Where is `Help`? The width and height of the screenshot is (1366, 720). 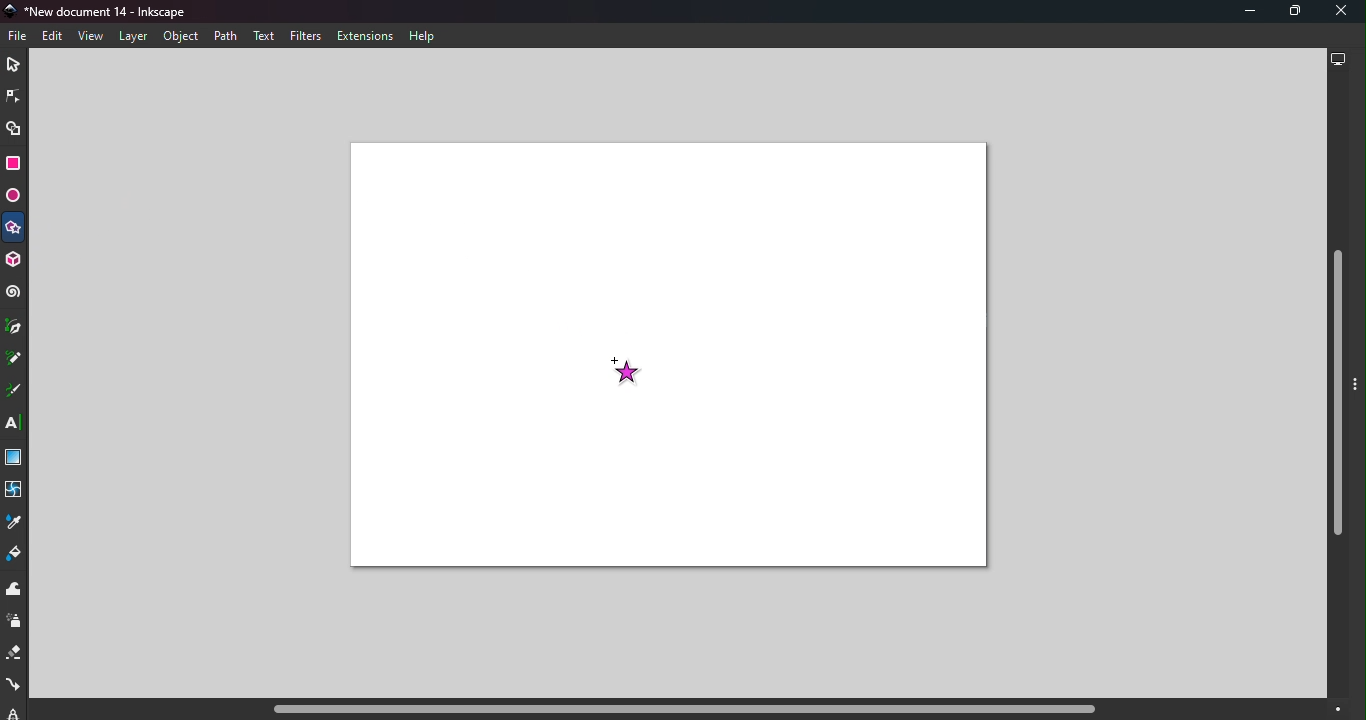 Help is located at coordinates (424, 37).